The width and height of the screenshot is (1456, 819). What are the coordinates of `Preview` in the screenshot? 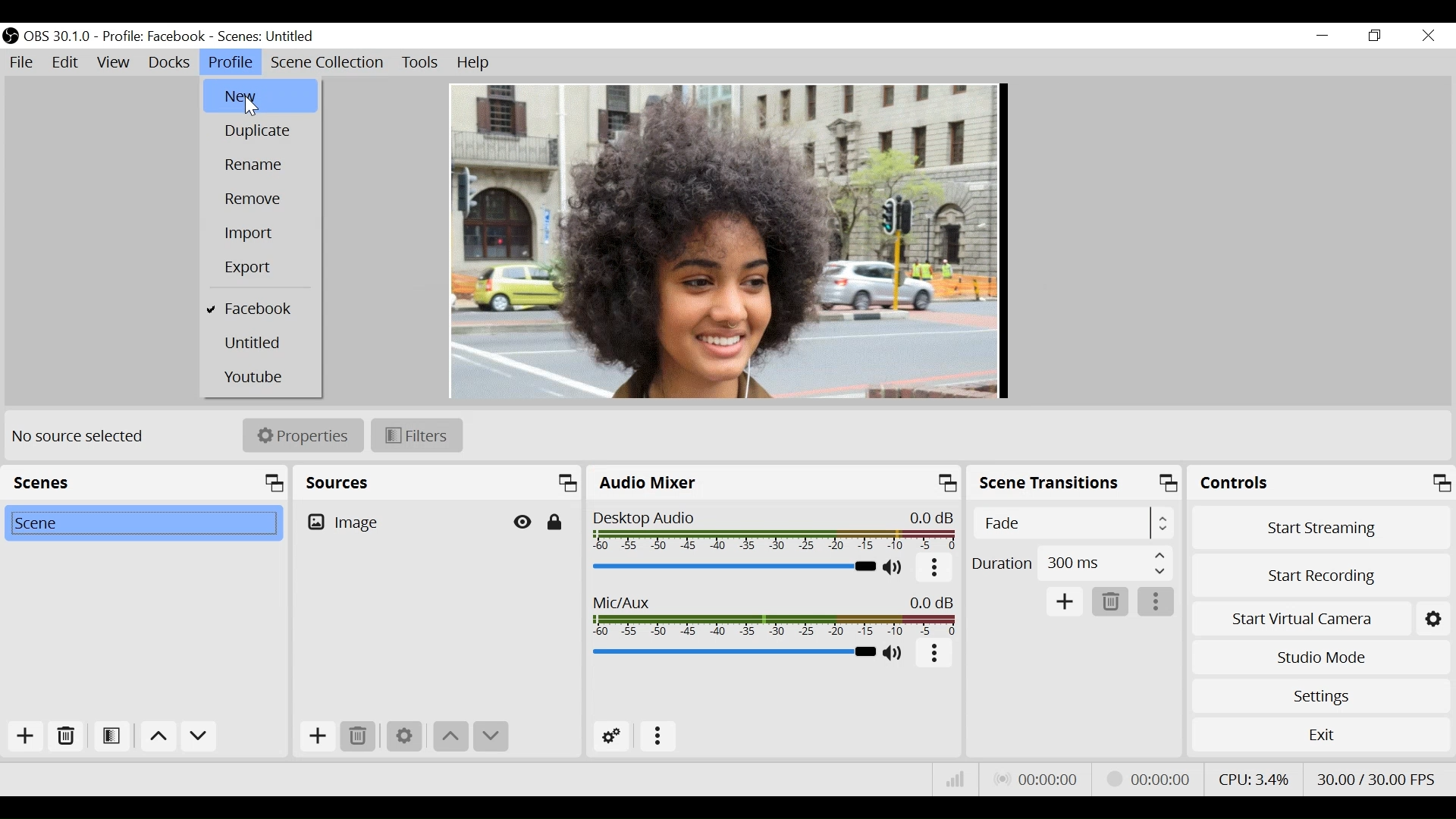 It's located at (726, 242).